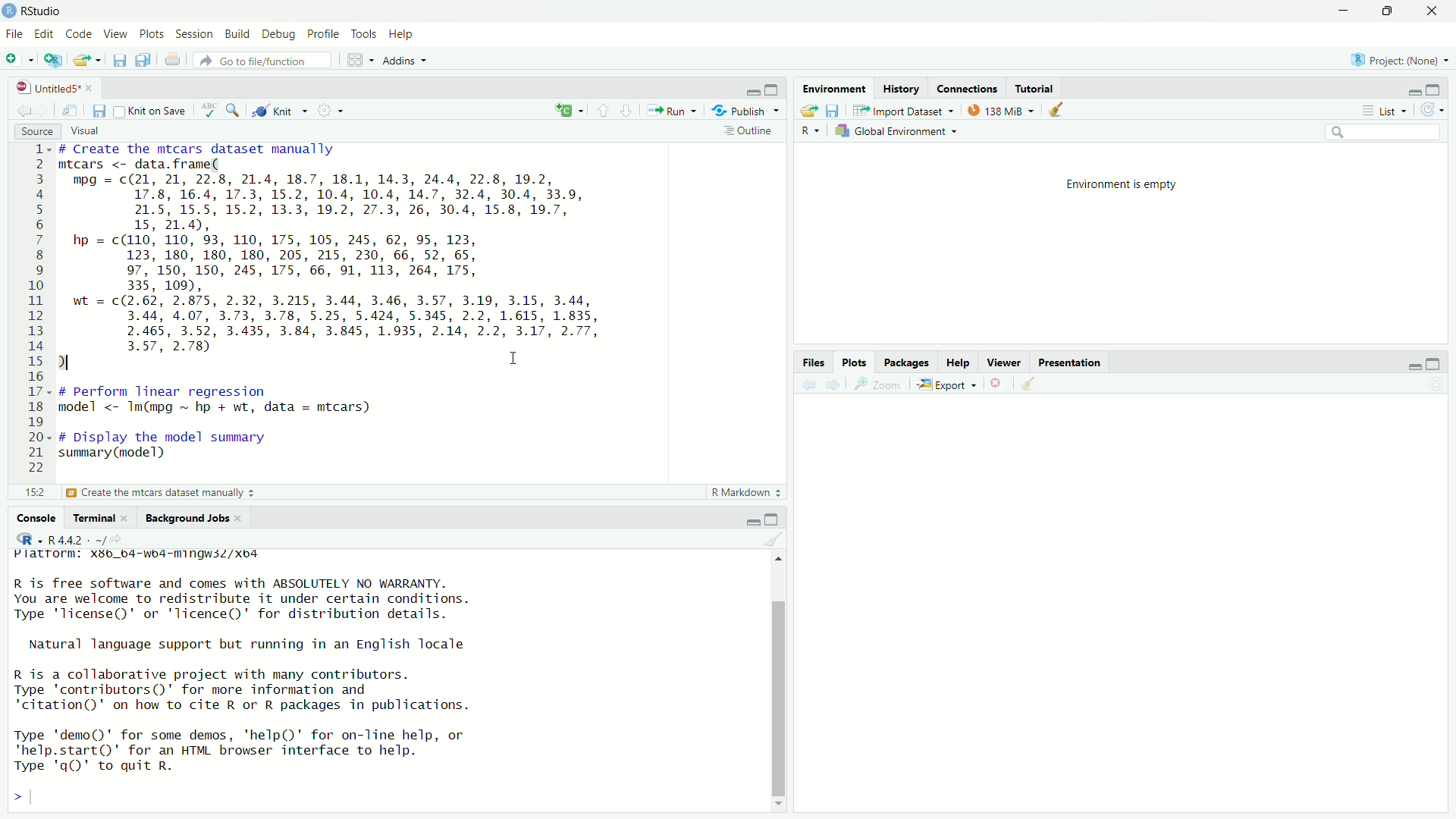 The image size is (1456, 819). What do you see at coordinates (1070, 363) in the screenshot?
I see `Presentation` at bounding box center [1070, 363].